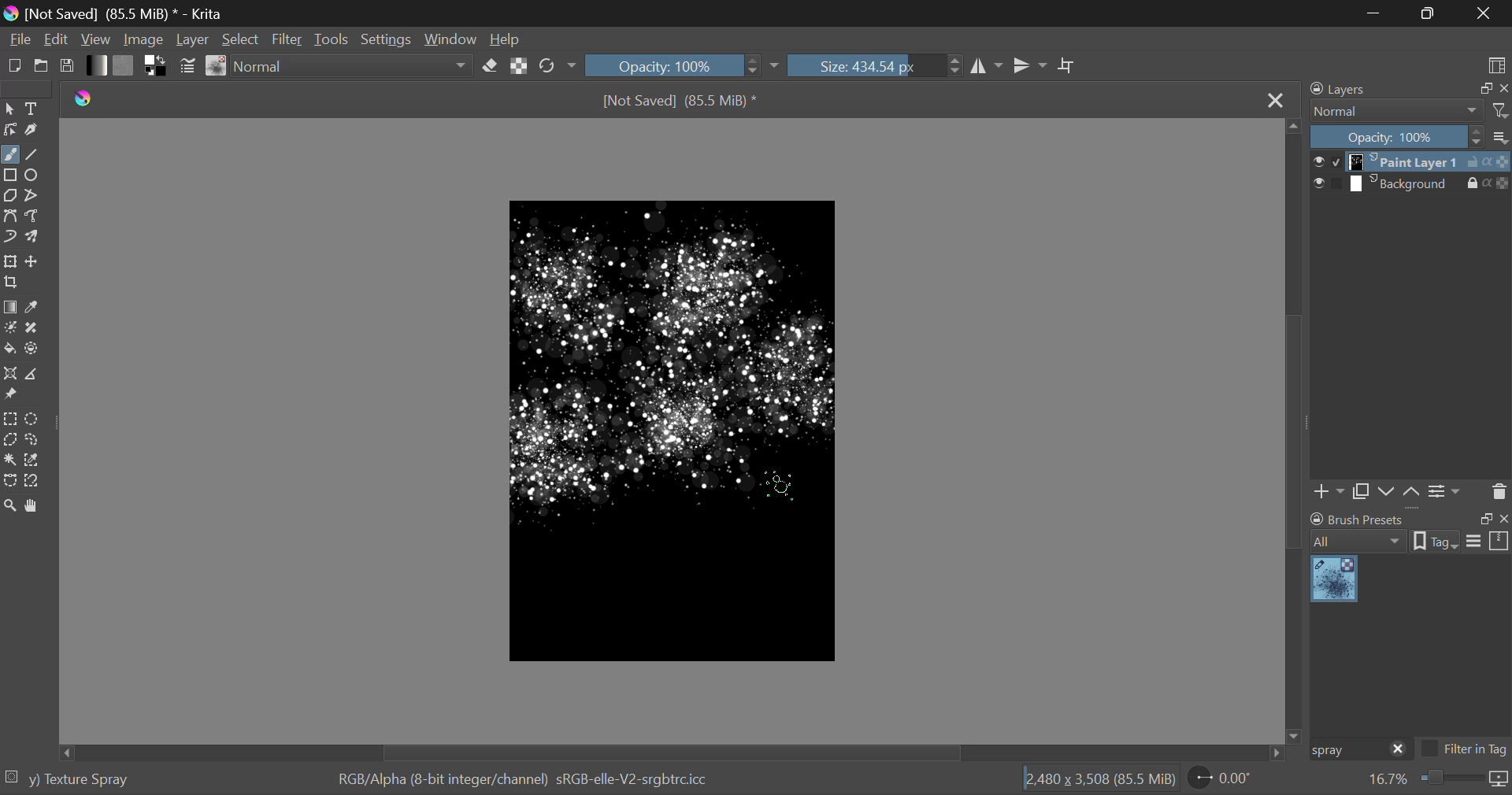  I want to click on Bezier Curve Selection, so click(11, 482).